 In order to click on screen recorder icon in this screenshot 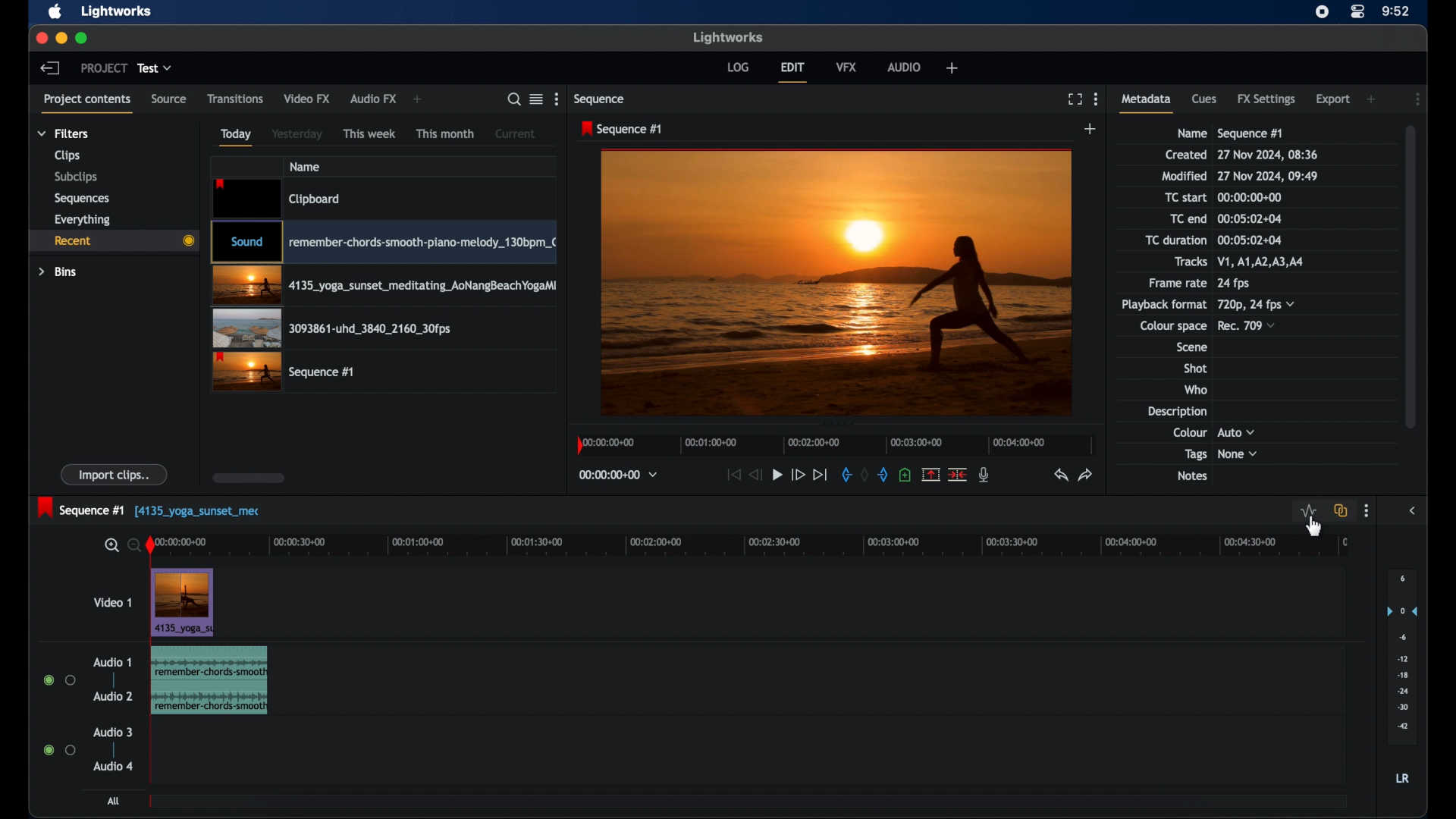, I will do `click(1323, 11)`.